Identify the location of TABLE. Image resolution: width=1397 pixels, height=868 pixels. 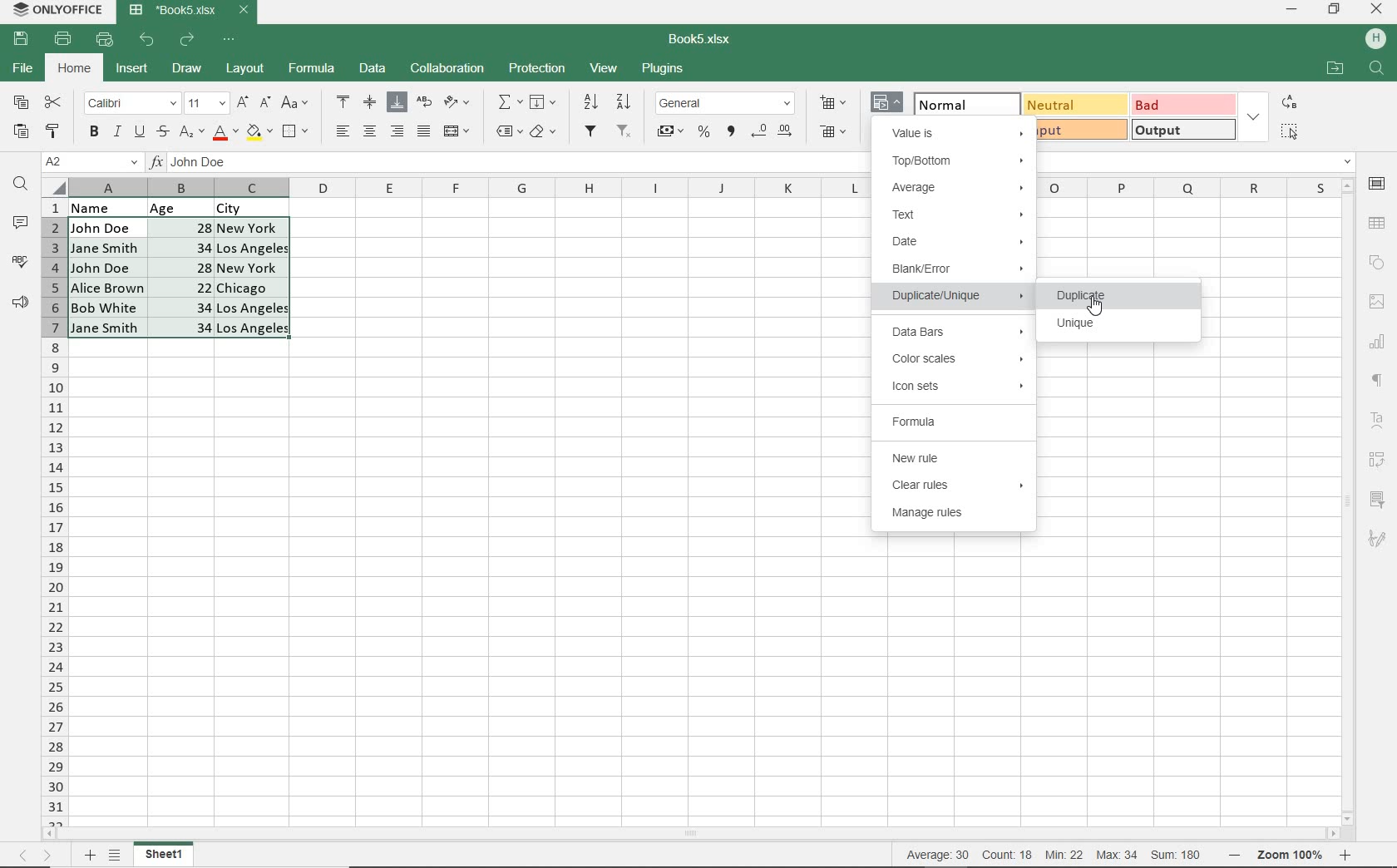
(1378, 223).